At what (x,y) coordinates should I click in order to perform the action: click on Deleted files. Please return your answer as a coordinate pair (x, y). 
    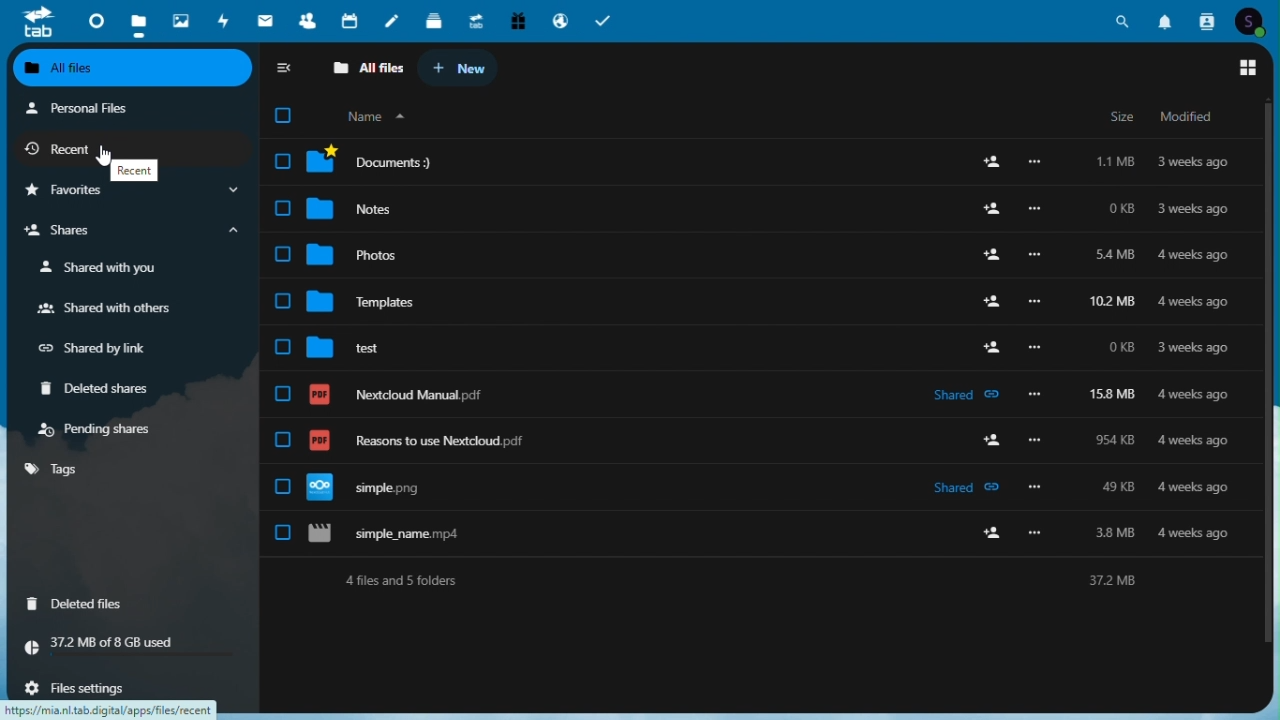
    Looking at the image, I should click on (75, 602).